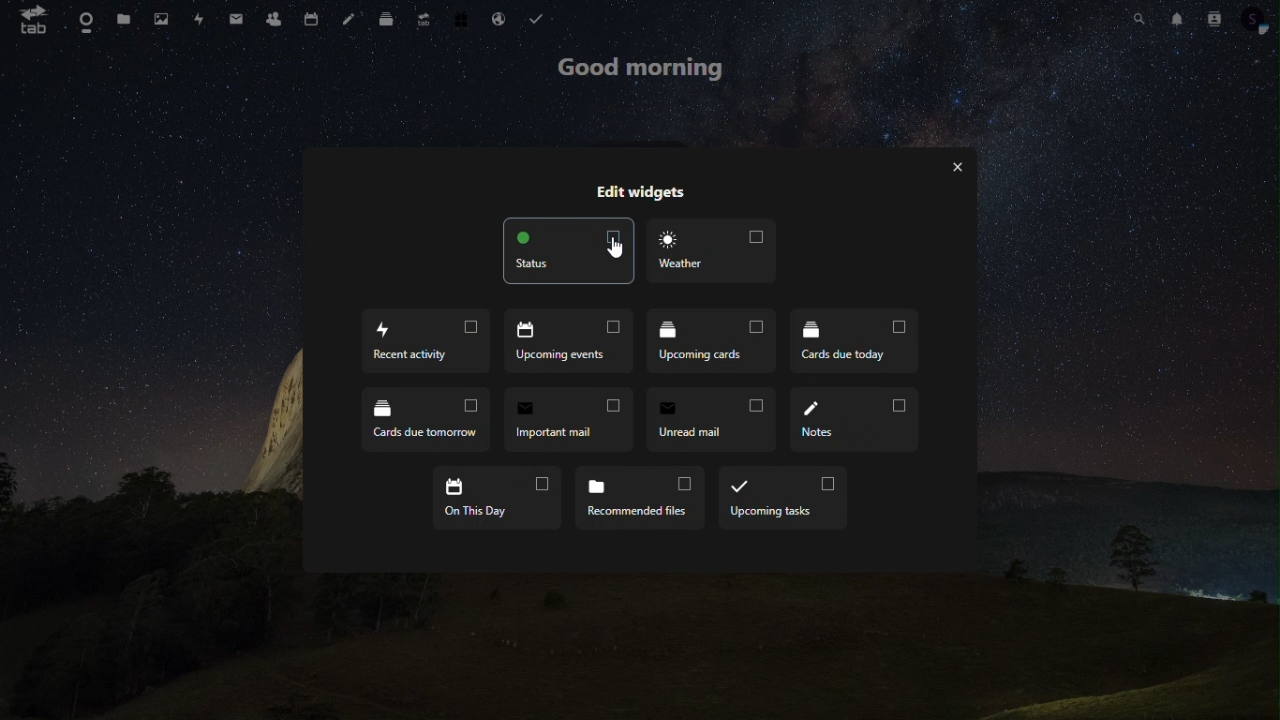 The height and width of the screenshot is (720, 1280). What do you see at coordinates (570, 419) in the screenshot?
I see `important mail` at bounding box center [570, 419].